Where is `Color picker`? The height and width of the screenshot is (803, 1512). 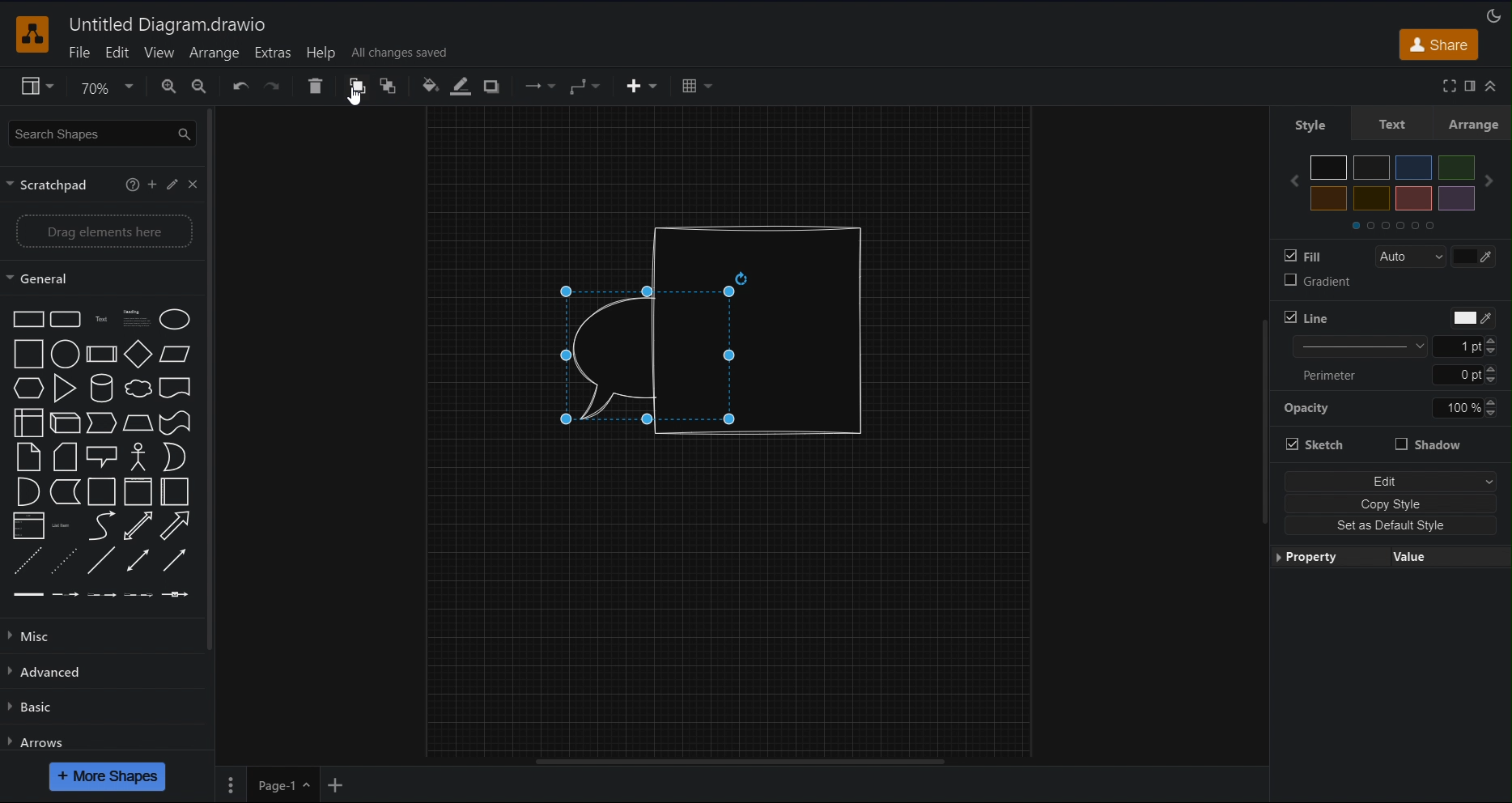
Color picker is located at coordinates (1473, 318).